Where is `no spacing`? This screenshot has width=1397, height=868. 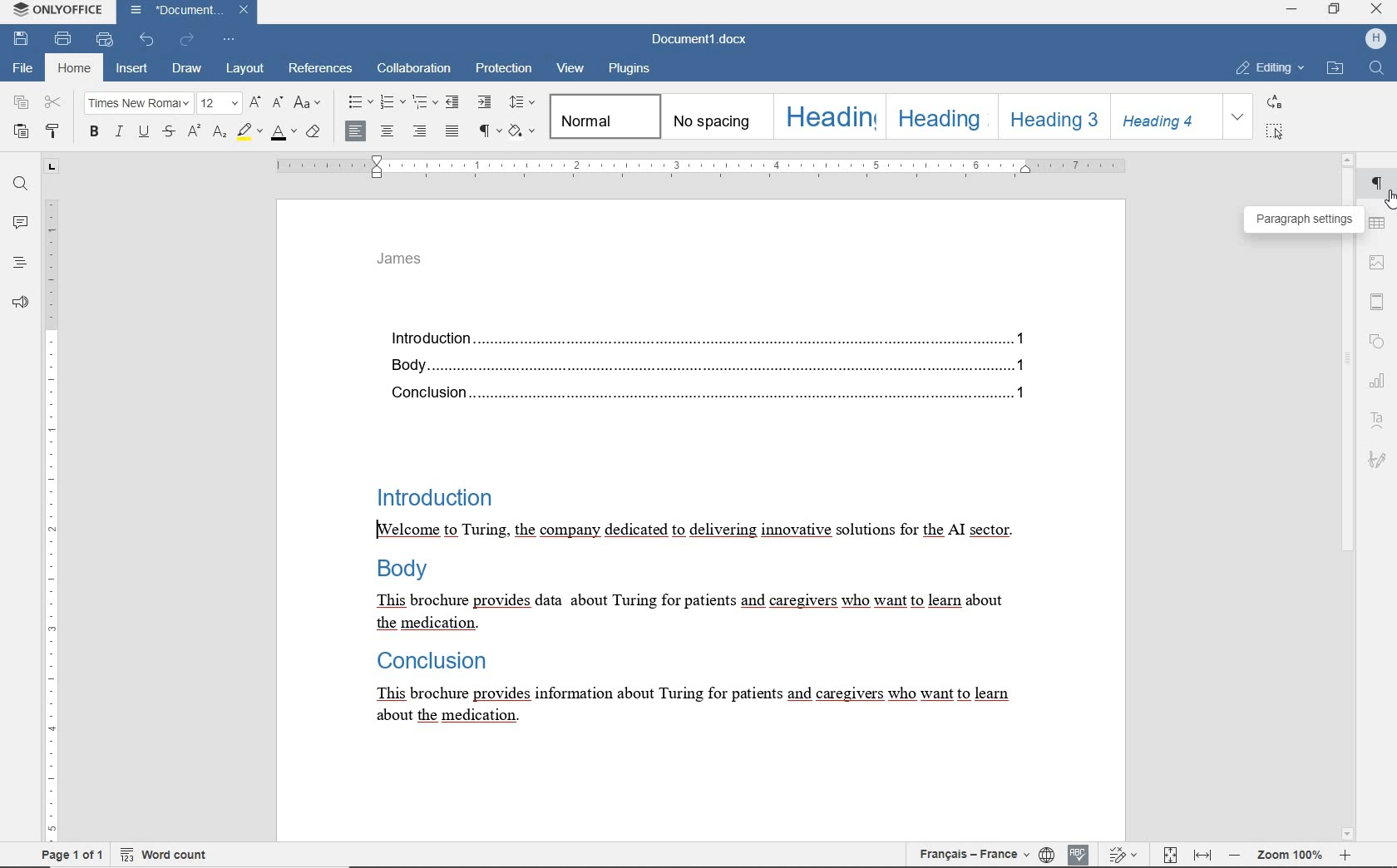 no spacing is located at coordinates (713, 117).